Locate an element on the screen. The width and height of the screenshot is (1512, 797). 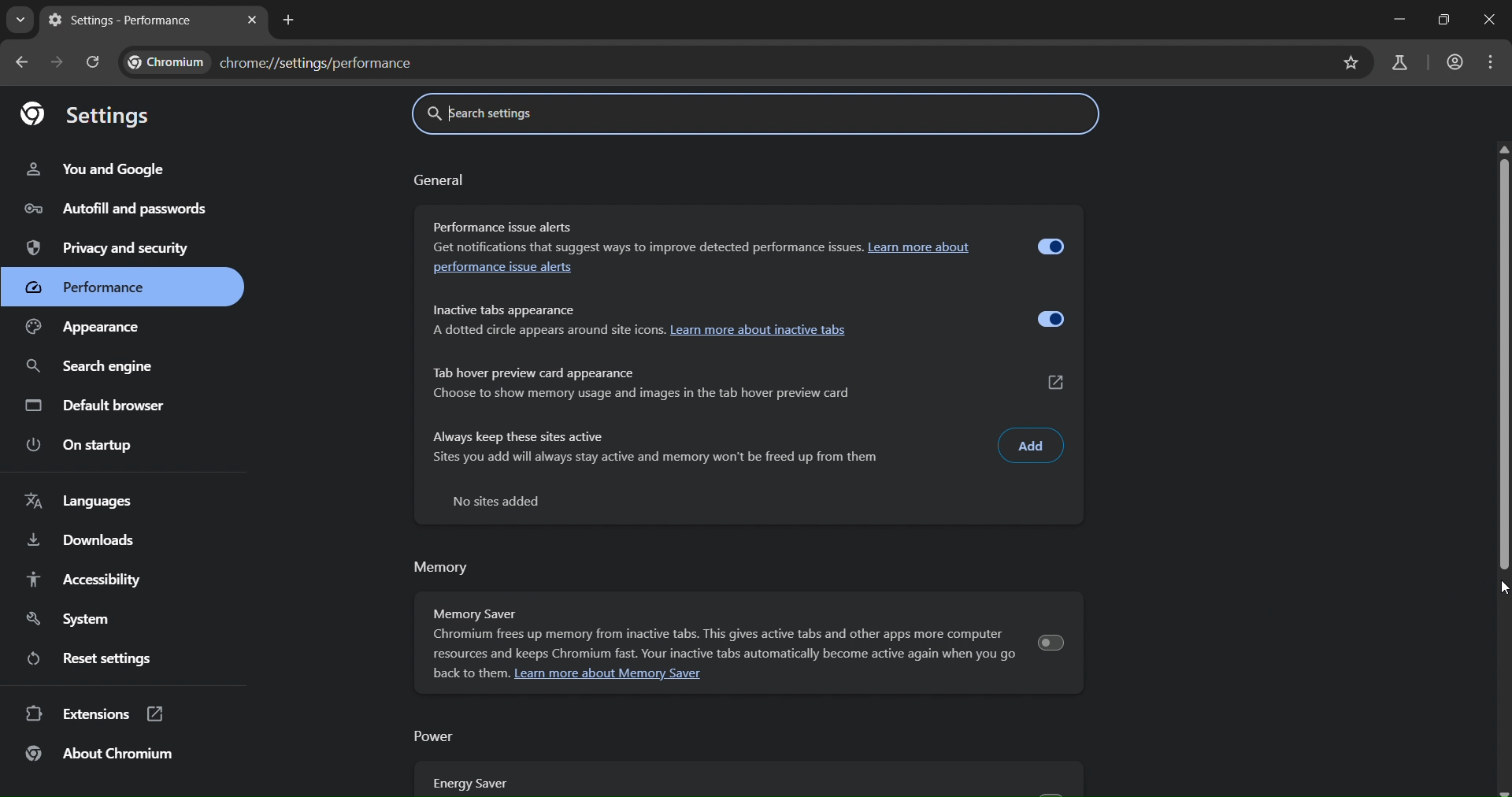
toggle performance alert is located at coordinates (1049, 247).